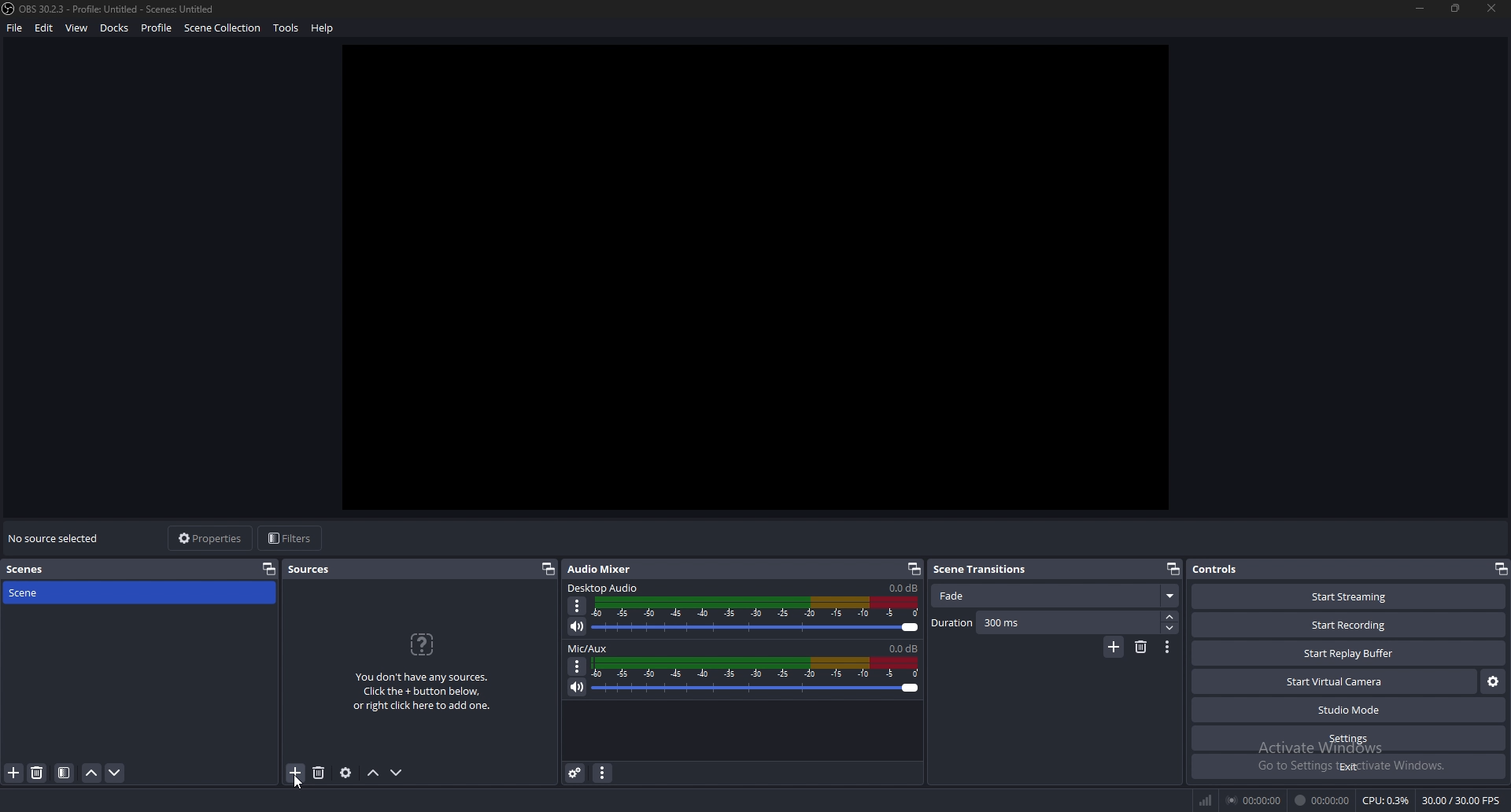 The width and height of the screenshot is (1511, 812). I want to click on resize, so click(1454, 8).